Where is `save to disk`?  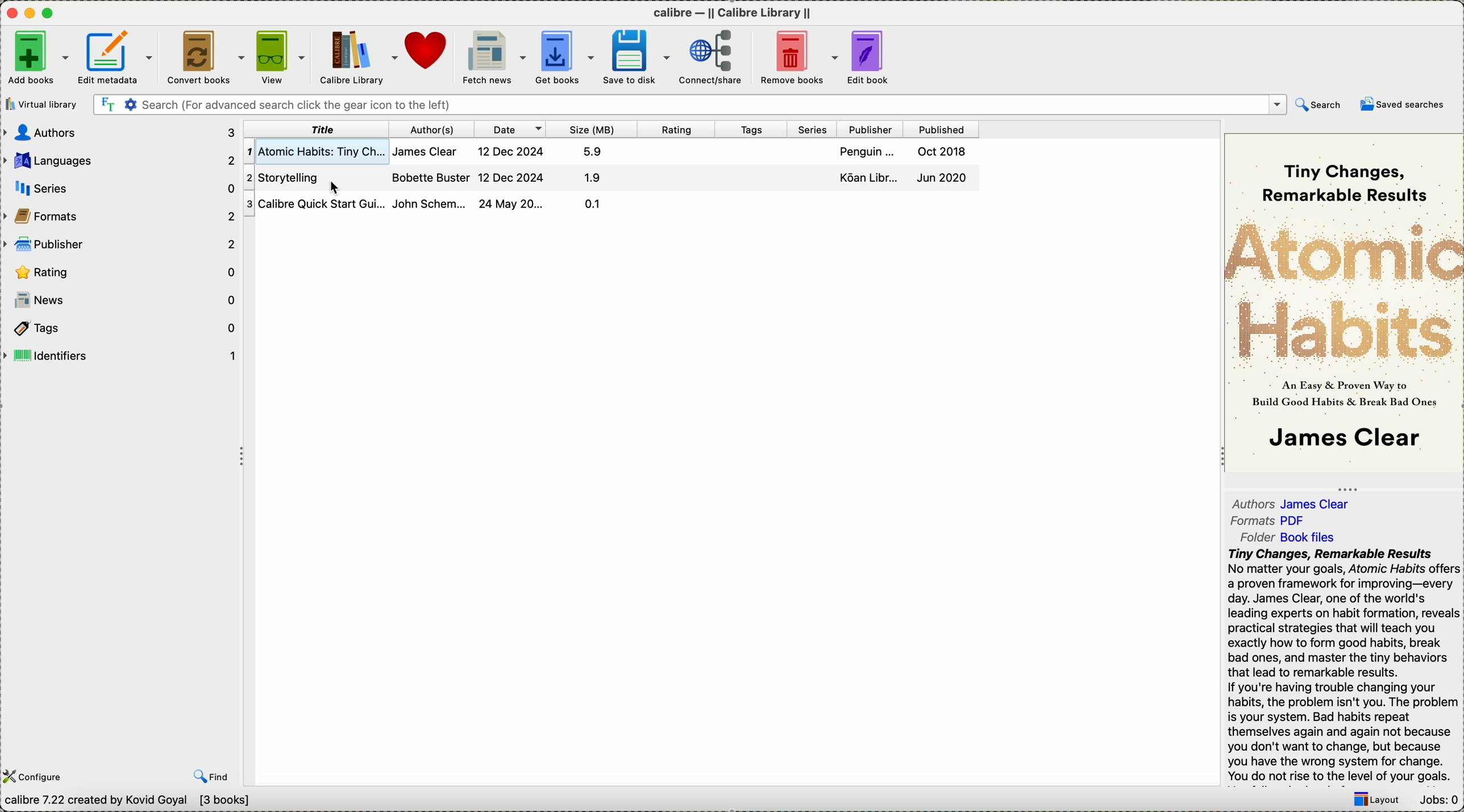 save to disk is located at coordinates (637, 58).